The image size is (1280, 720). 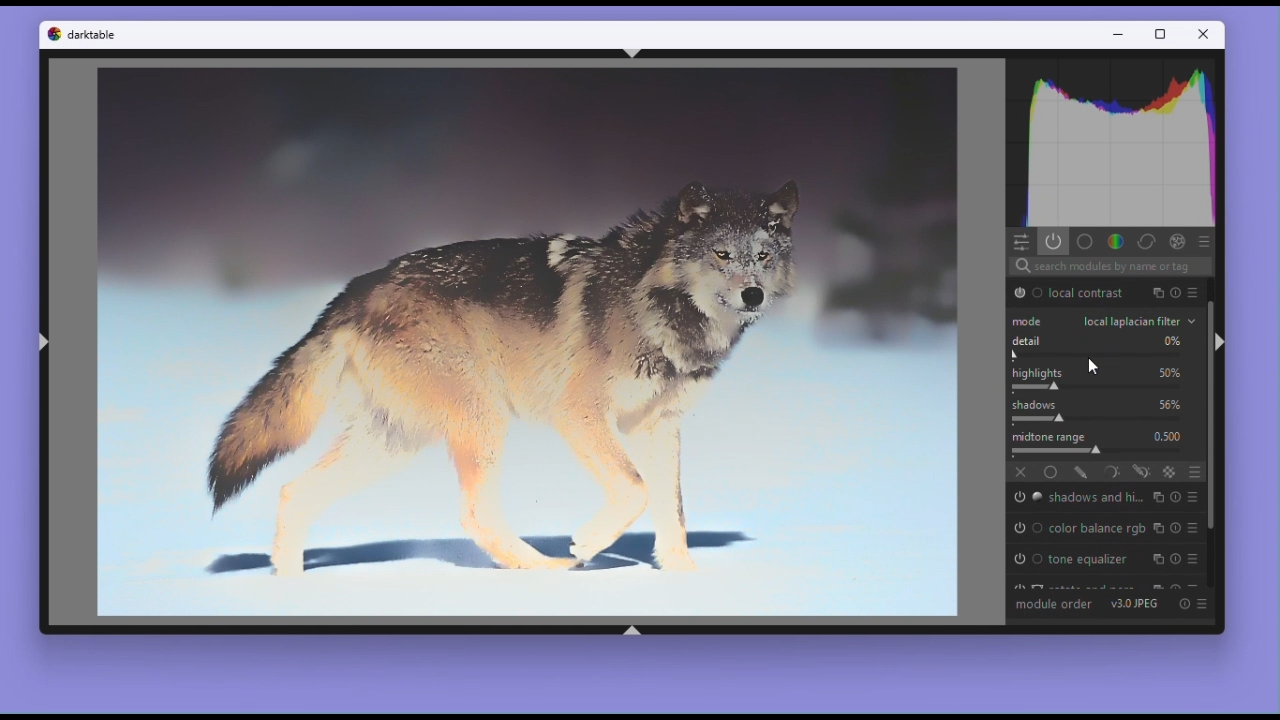 I want to click on Histogram, so click(x=1110, y=145).